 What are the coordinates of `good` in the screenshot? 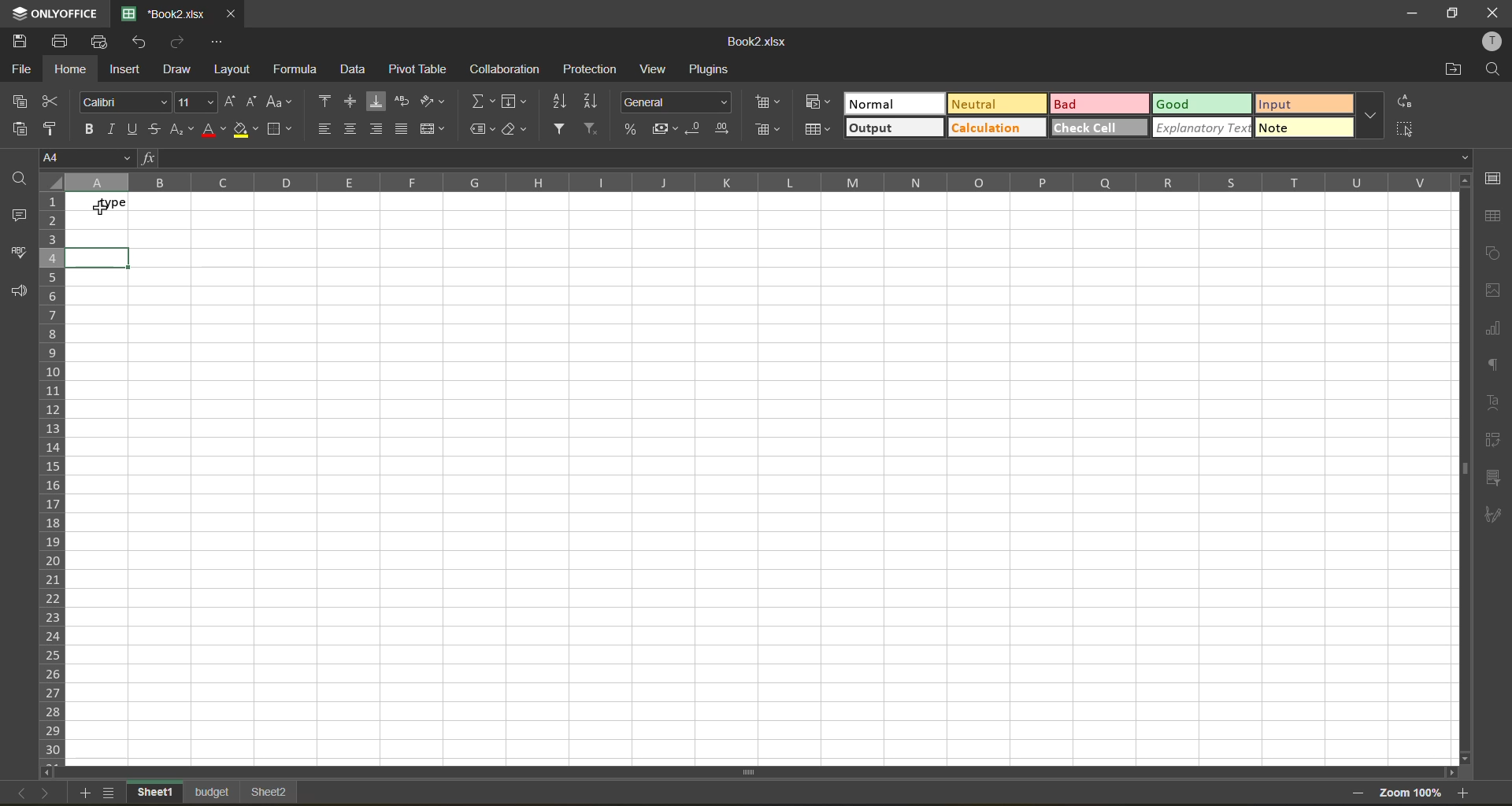 It's located at (1202, 105).